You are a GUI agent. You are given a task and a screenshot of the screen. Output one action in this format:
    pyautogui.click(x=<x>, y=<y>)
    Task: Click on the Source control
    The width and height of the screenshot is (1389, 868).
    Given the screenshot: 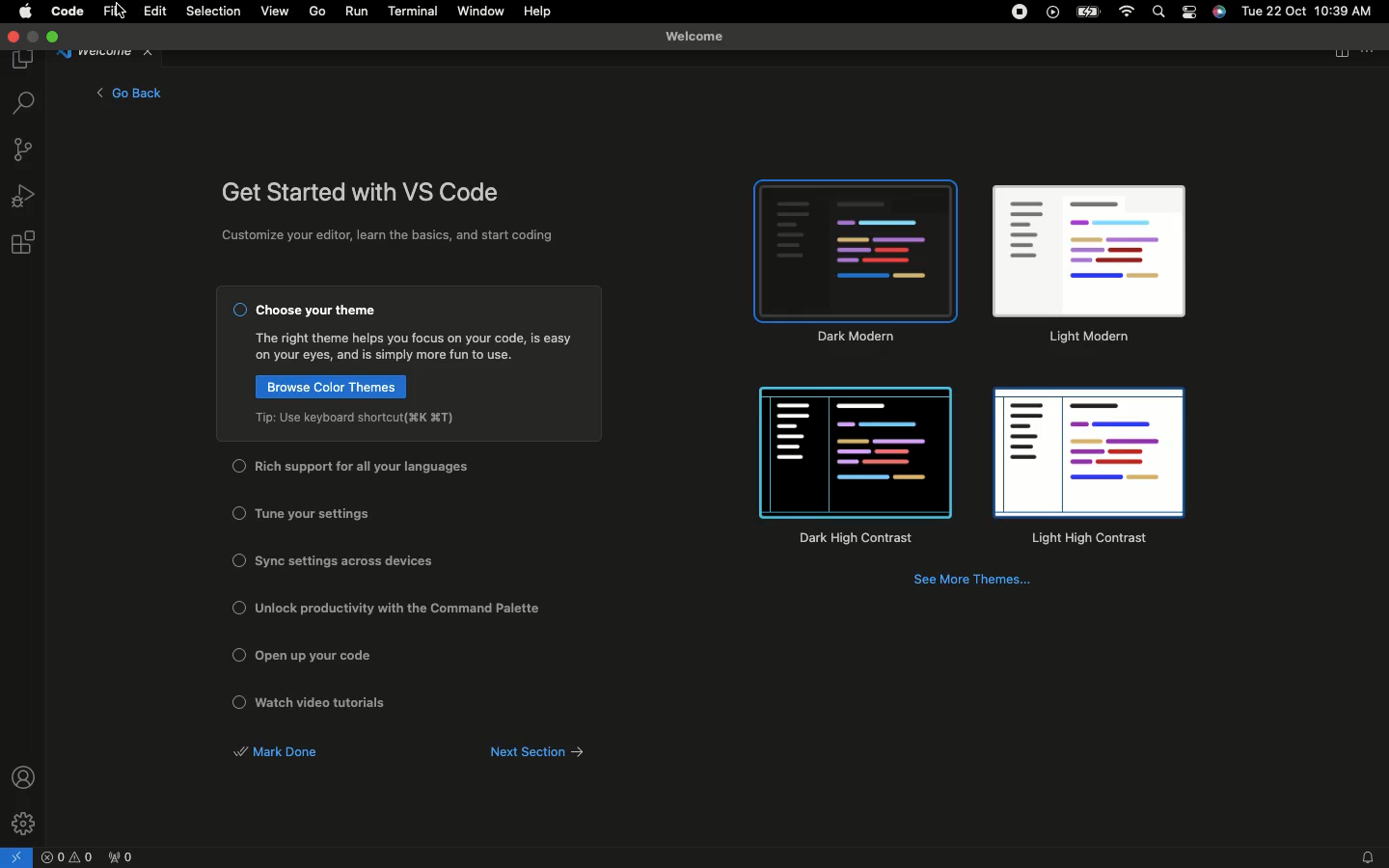 What is the action you would take?
    pyautogui.click(x=25, y=152)
    